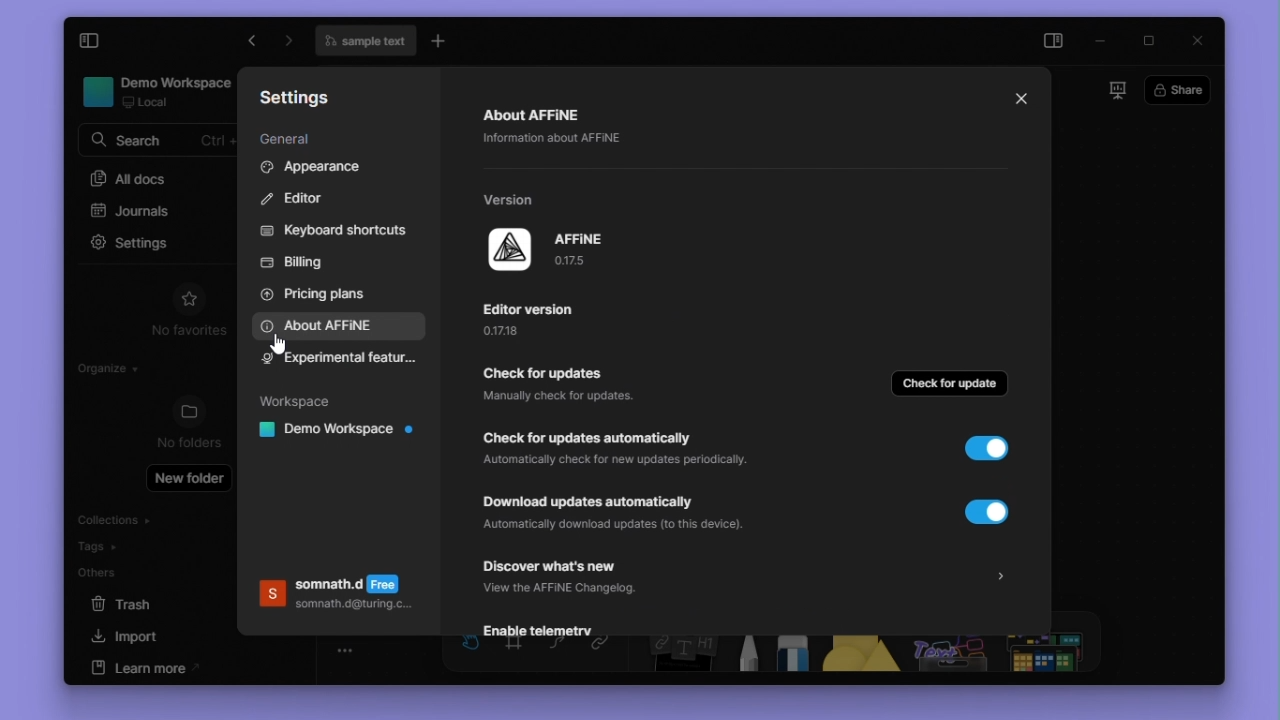 The image size is (1280, 720). What do you see at coordinates (335, 228) in the screenshot?
I see `Keyboard shortcuts` at bounding box center [335, 228].